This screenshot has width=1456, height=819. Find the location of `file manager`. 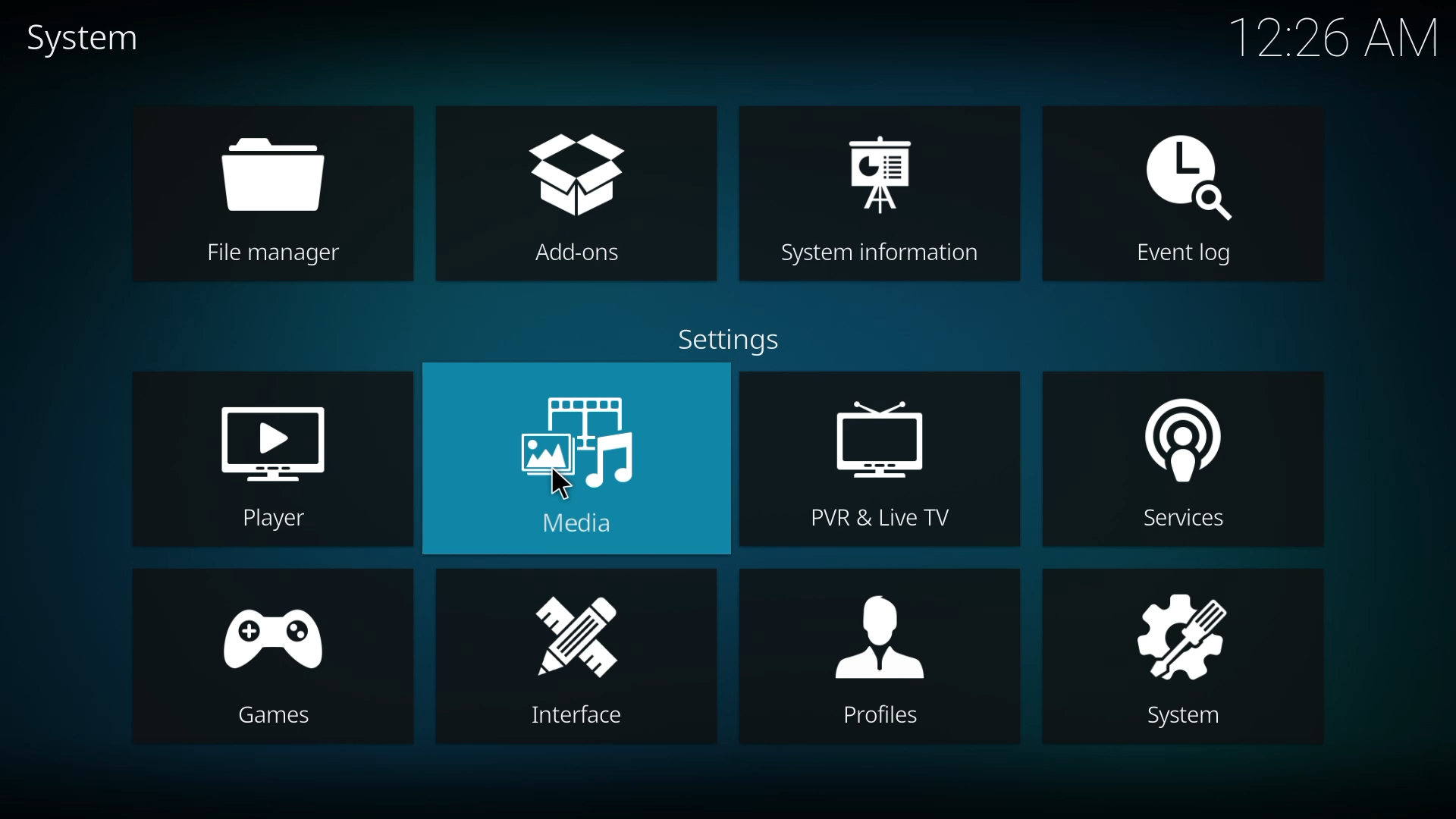

file manager is located at coordinates (271, 196).